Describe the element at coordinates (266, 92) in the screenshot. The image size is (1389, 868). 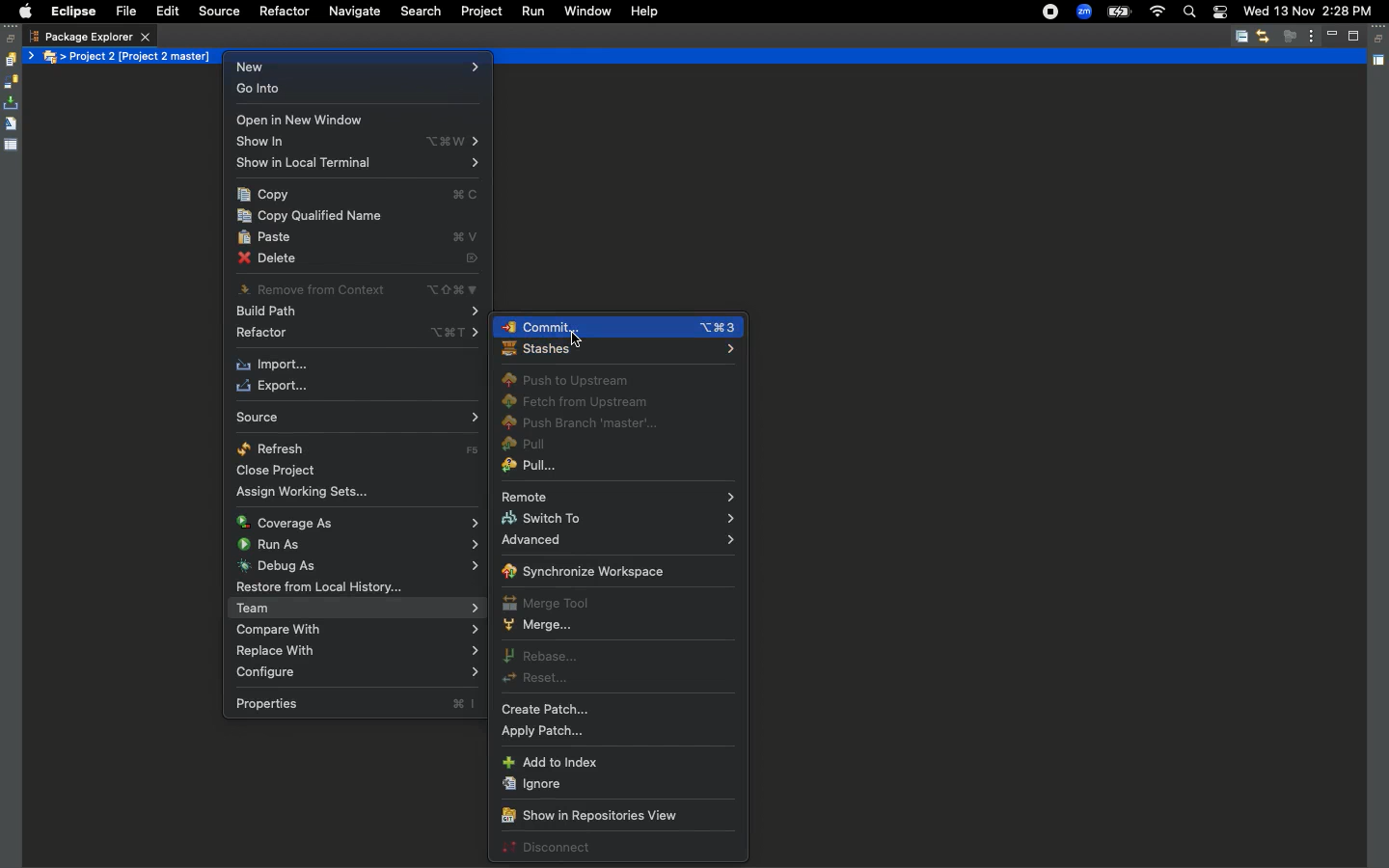
I see `Go into` at that location.